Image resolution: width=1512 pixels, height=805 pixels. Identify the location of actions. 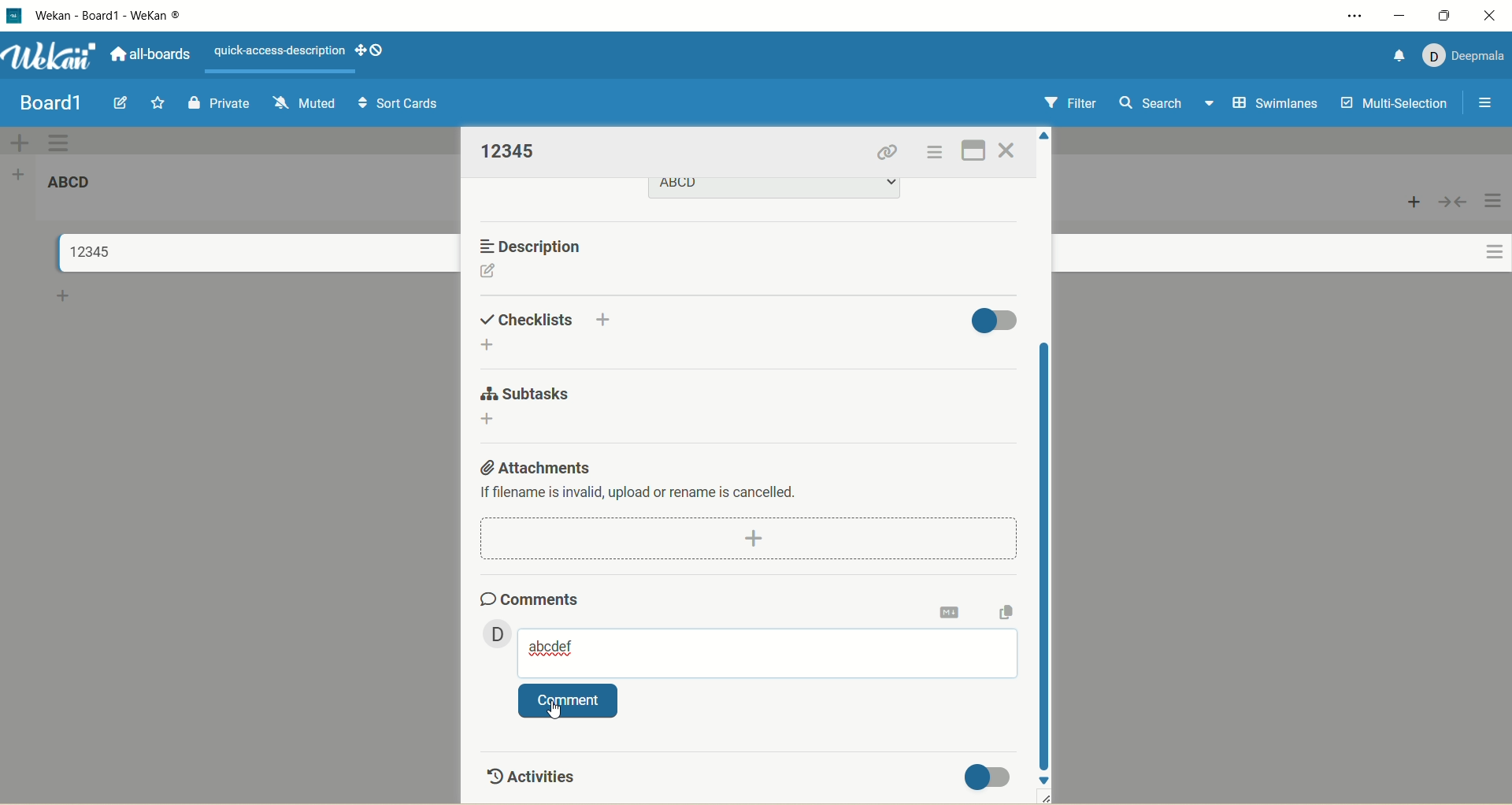
(932, 155).